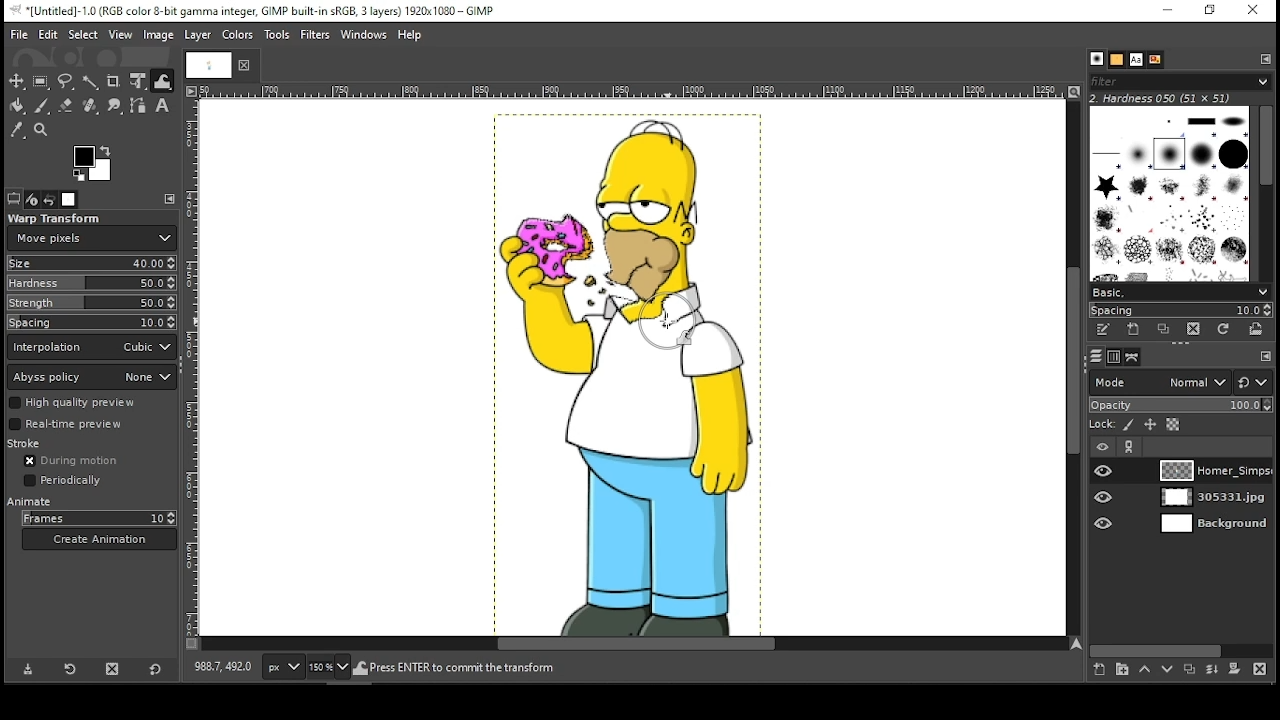  Describe the element at coordinates (98, 518) in the screenshot. I see `frames` at that location.